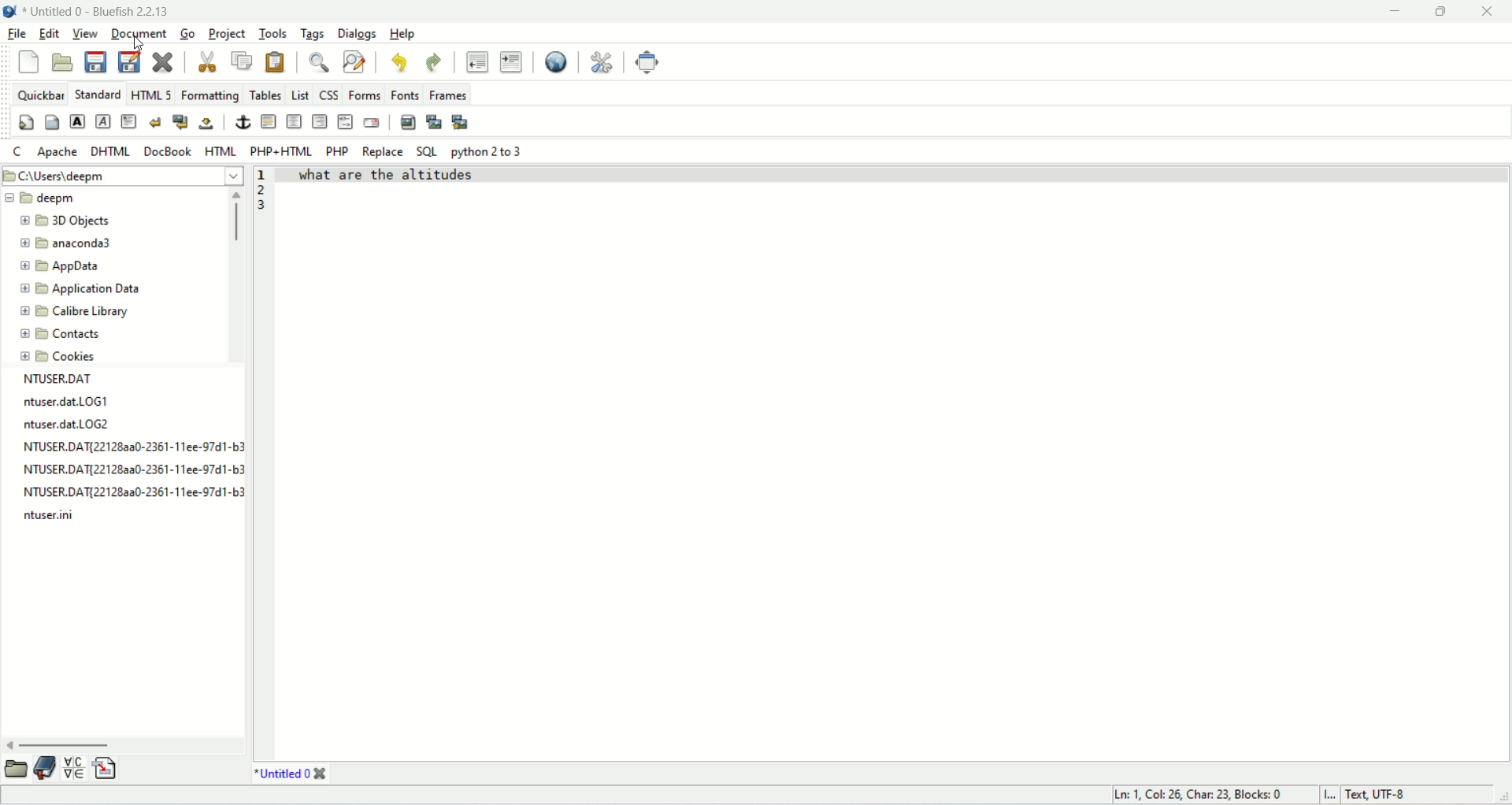 Image resolution: width=1512 pixels, height=805 pixels. Describe the element at coordinates (94, 61) in the screenshot. I see `save current file` at that location.